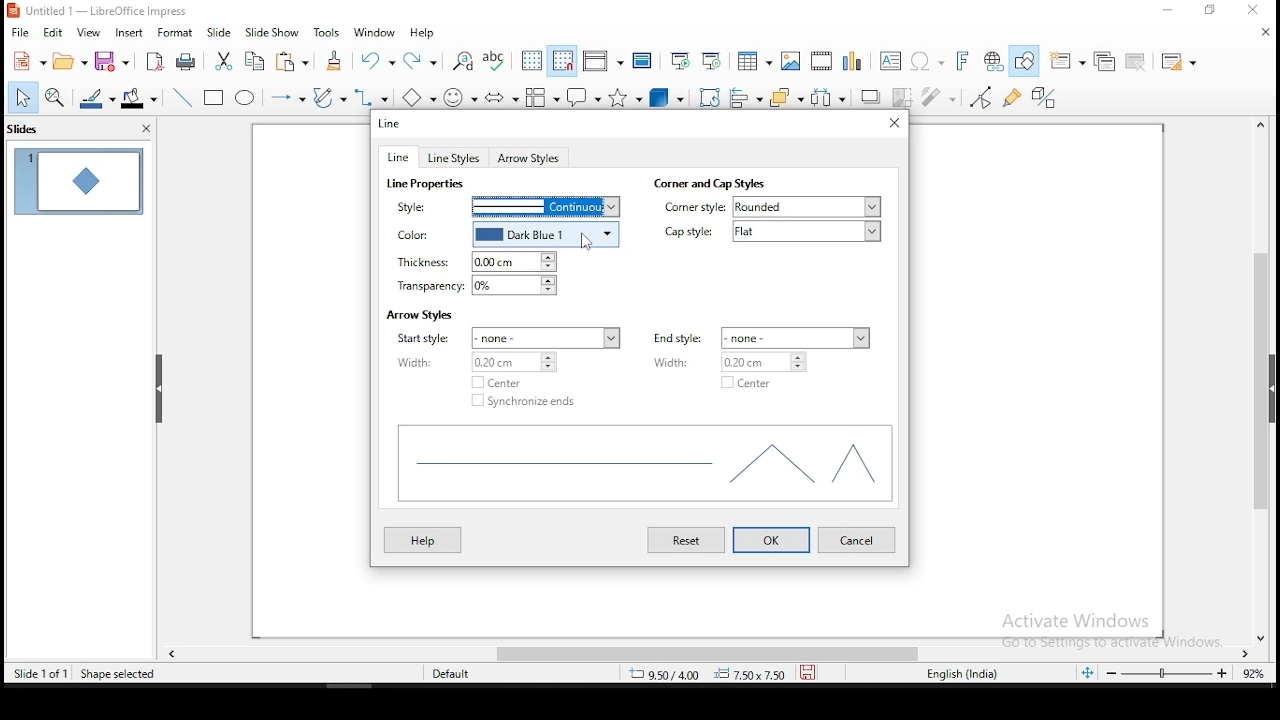 The width and height of the screenshot is (1280, 720). Describe the element at coordinates (423, 34) in the screenshot. I see `help` at that location.